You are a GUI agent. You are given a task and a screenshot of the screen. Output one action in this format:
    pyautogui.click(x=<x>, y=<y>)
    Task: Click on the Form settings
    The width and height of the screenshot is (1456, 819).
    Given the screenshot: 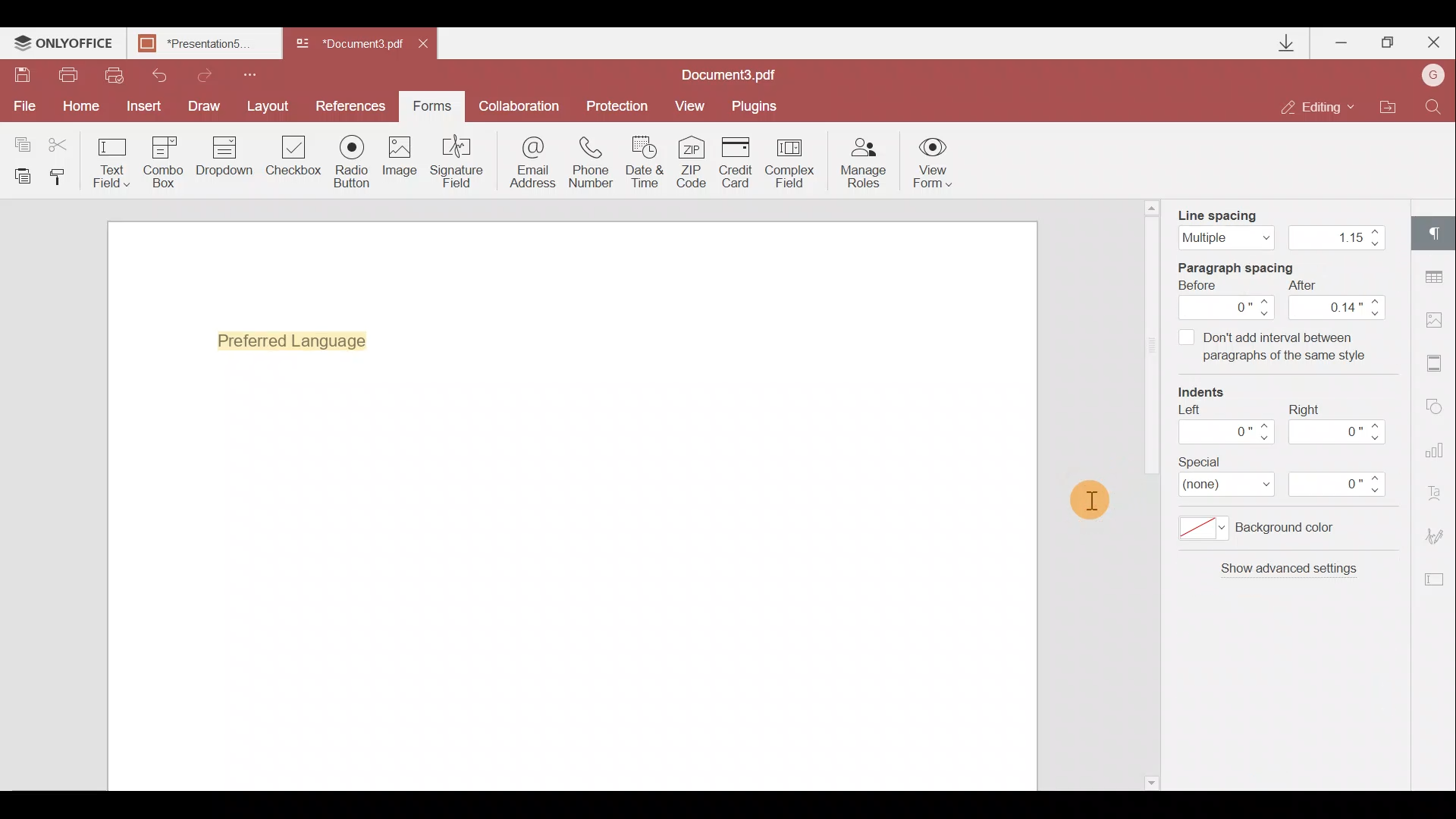 What is the action you would take?
    pyautogui.click(x=1436, y=579)
    